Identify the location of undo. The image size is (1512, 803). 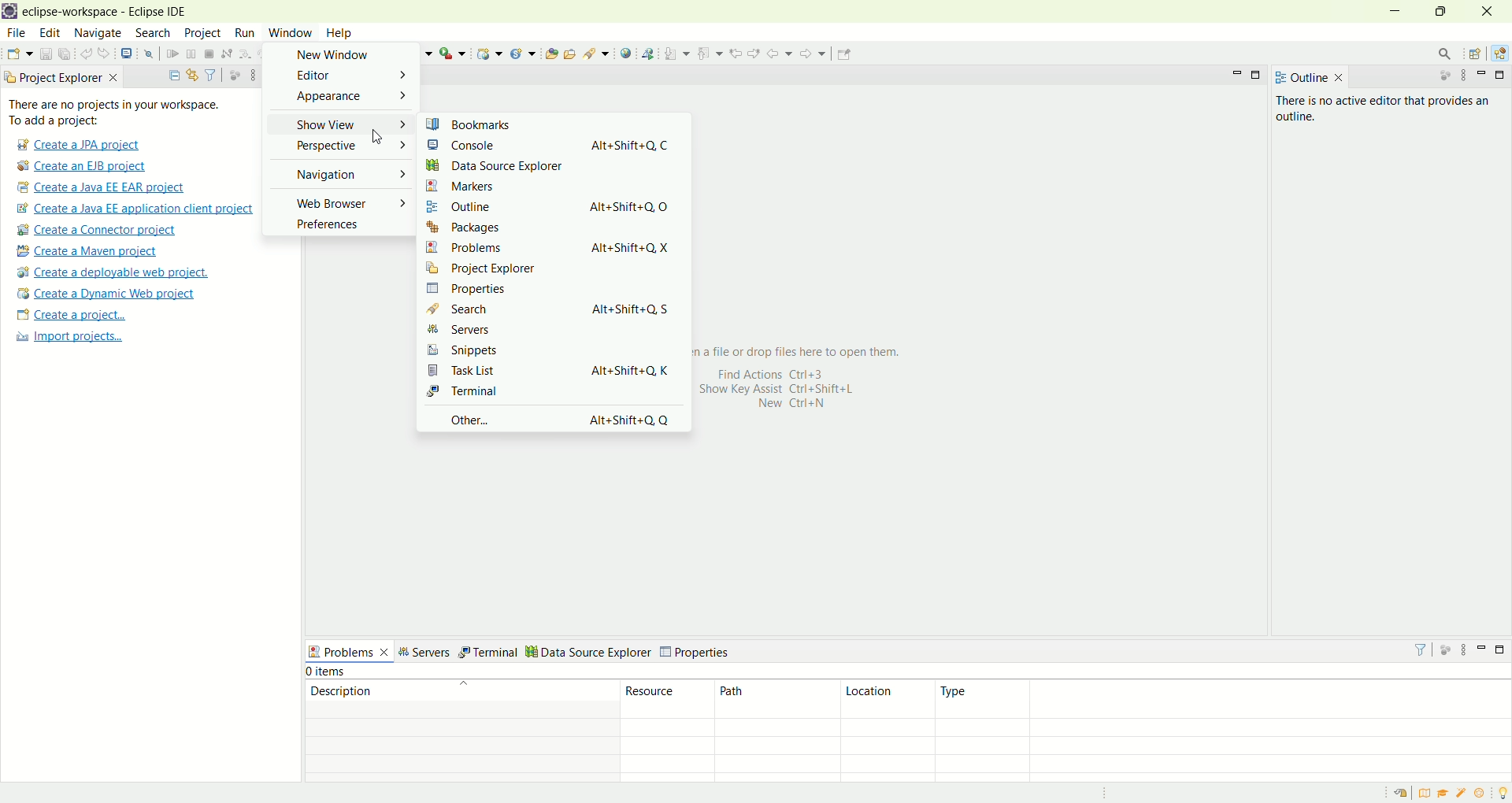
(85, 52).